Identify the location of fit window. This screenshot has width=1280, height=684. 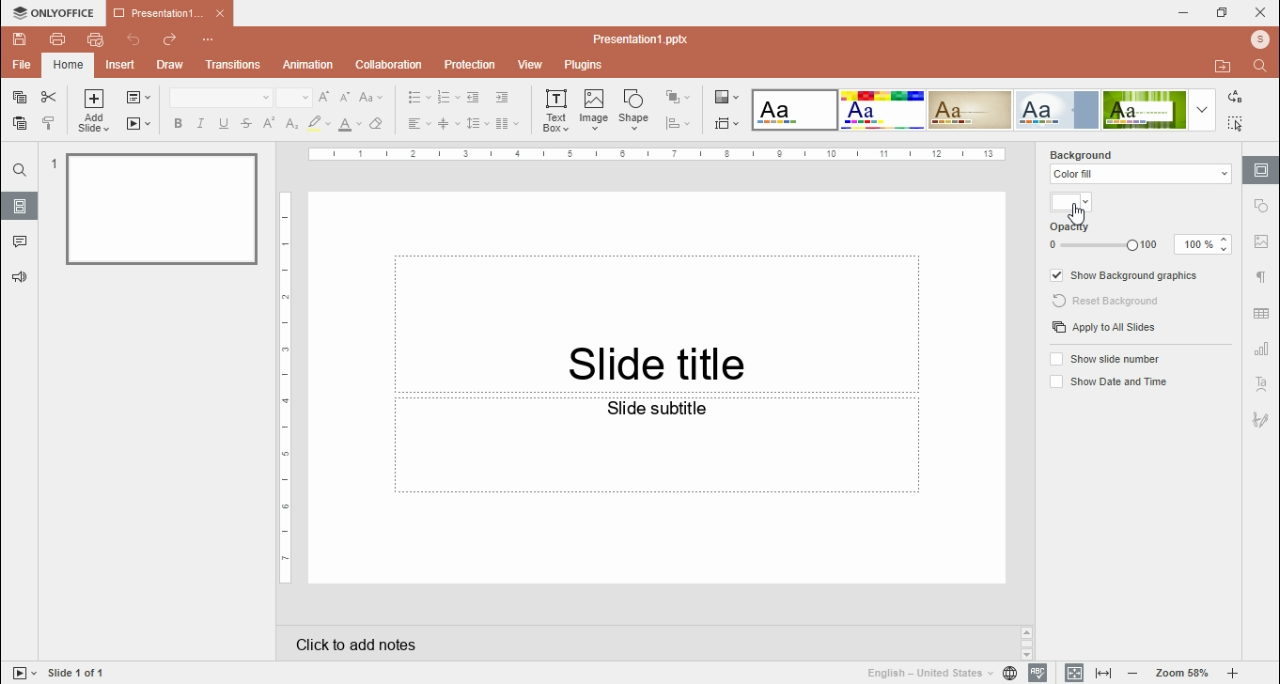
(1074, 674).